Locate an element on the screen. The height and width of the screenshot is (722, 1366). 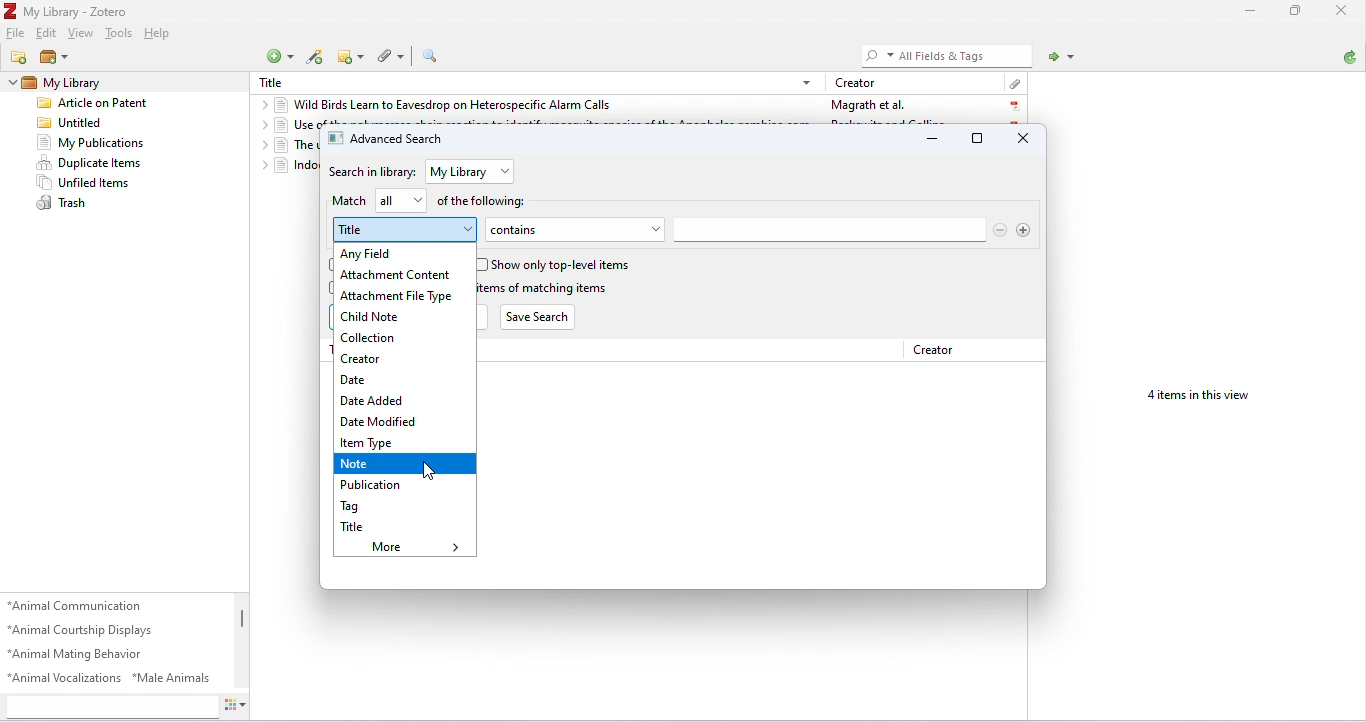
drop-down is located at coordinates (262, 126).